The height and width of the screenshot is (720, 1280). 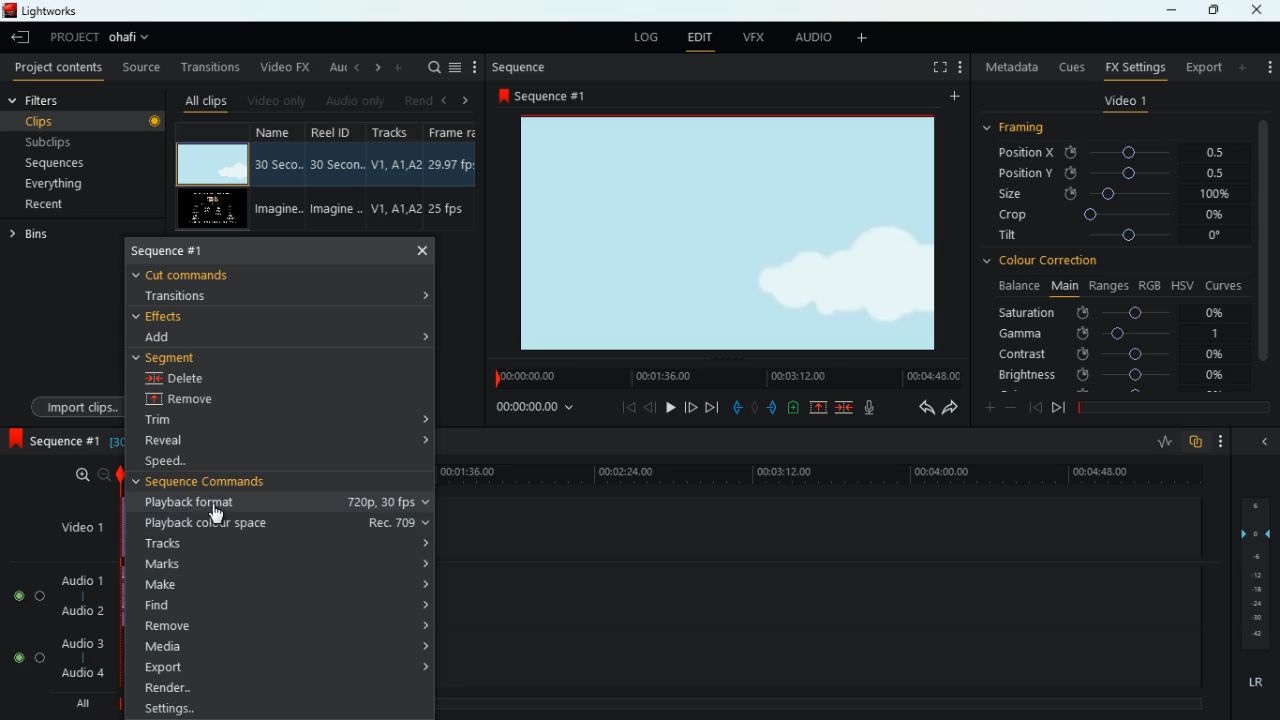 What do you see at coordinates (50, 207) in the screenshot?
I see `recent` at bounding box center [50, 207].